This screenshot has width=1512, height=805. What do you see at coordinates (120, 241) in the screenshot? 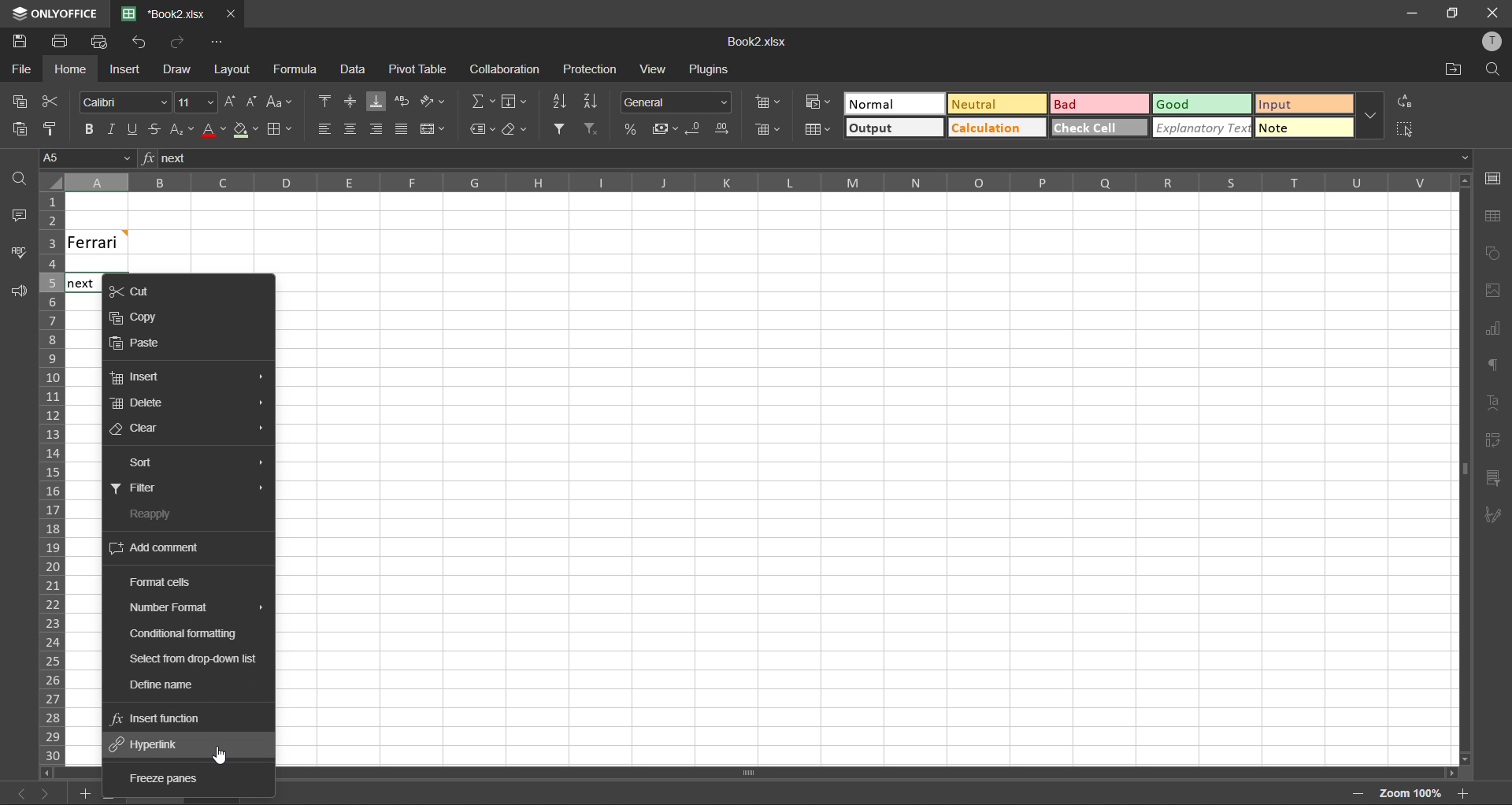
I see `Ferrari` at bounding box center [120, 241].